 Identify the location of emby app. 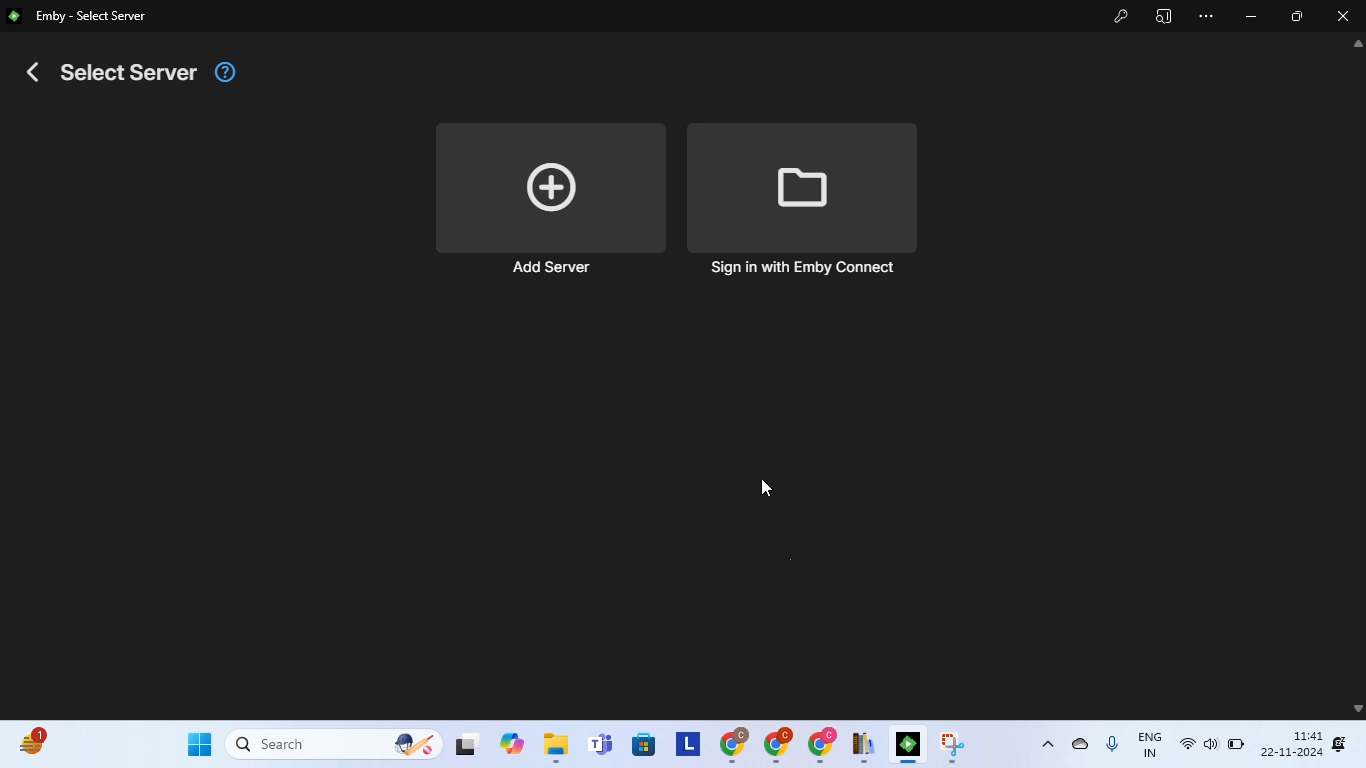
(910, 746).